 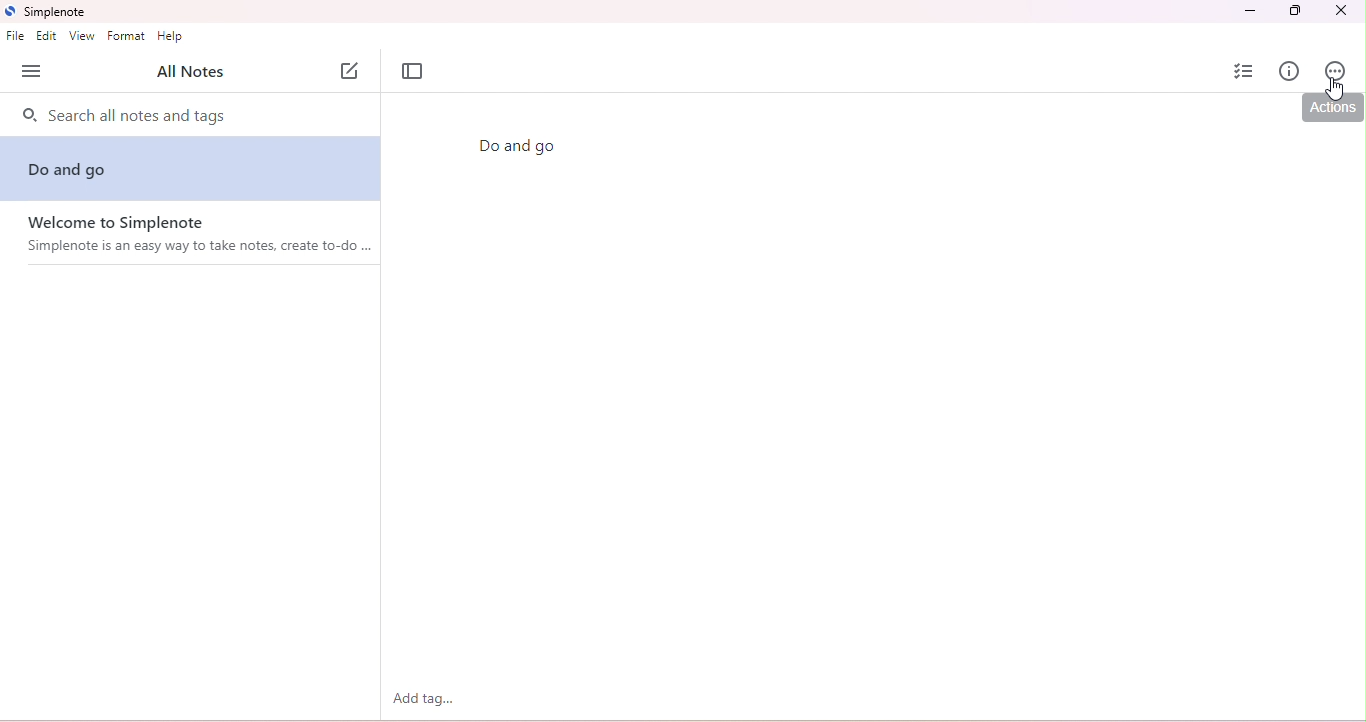 I want to click on actions, so click(x=1337, y=70).